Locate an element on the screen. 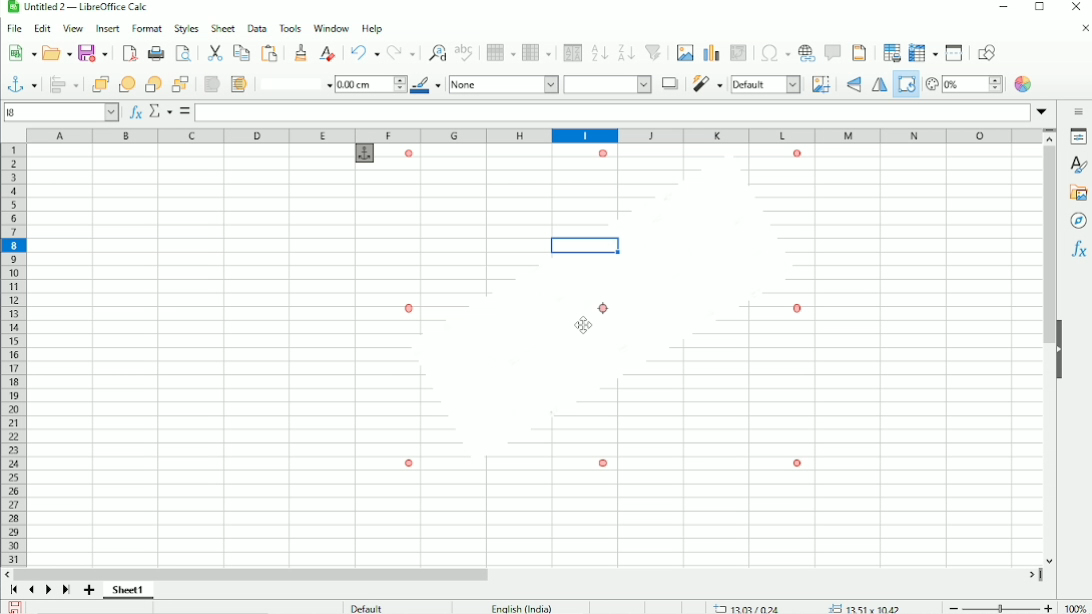 The width and height of the screenshot is (1092, 614). Column headings is located at coordinates (532, 136).